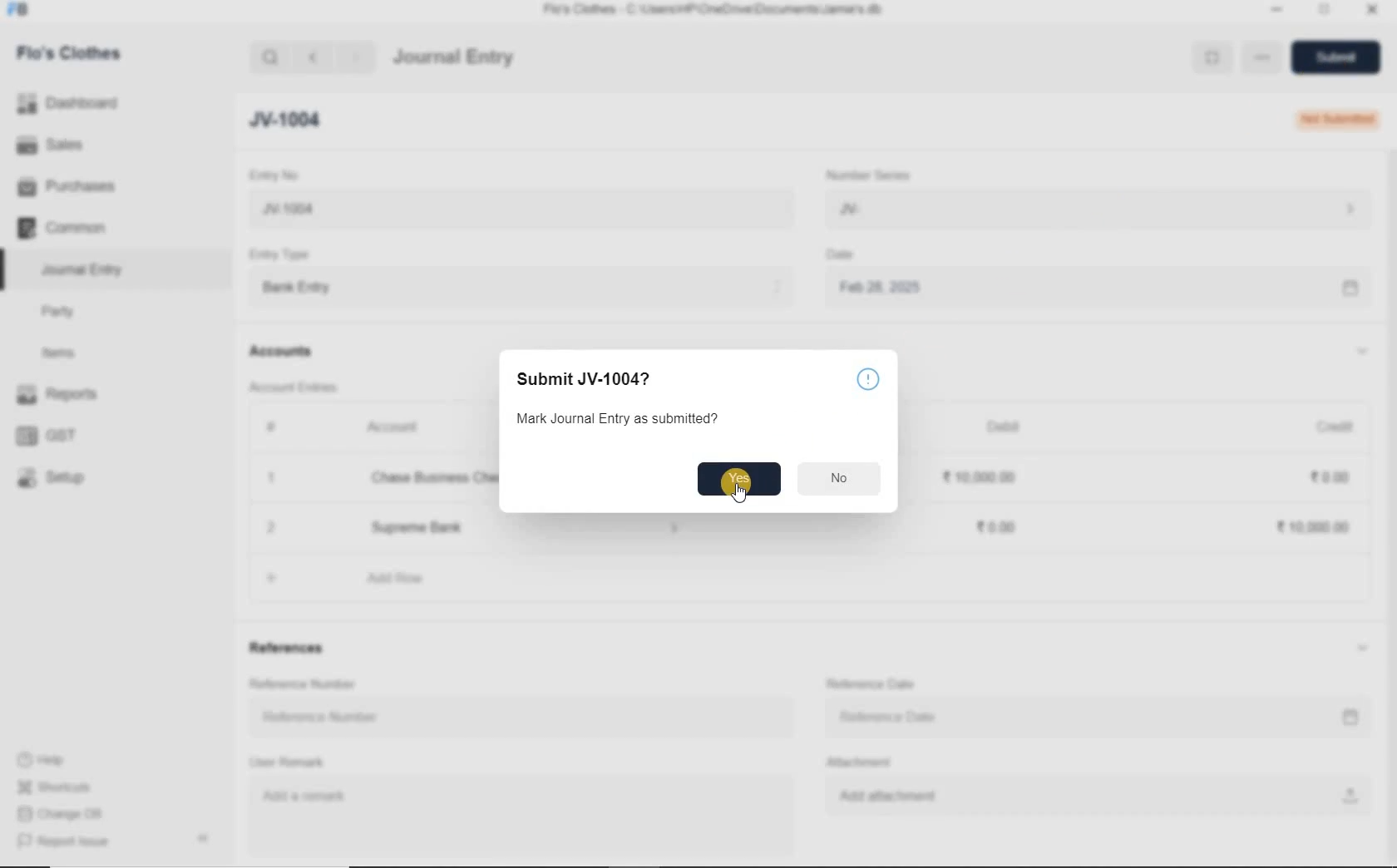  I want to click on Mark Journal Entry as submitted?, so click(623, 417).